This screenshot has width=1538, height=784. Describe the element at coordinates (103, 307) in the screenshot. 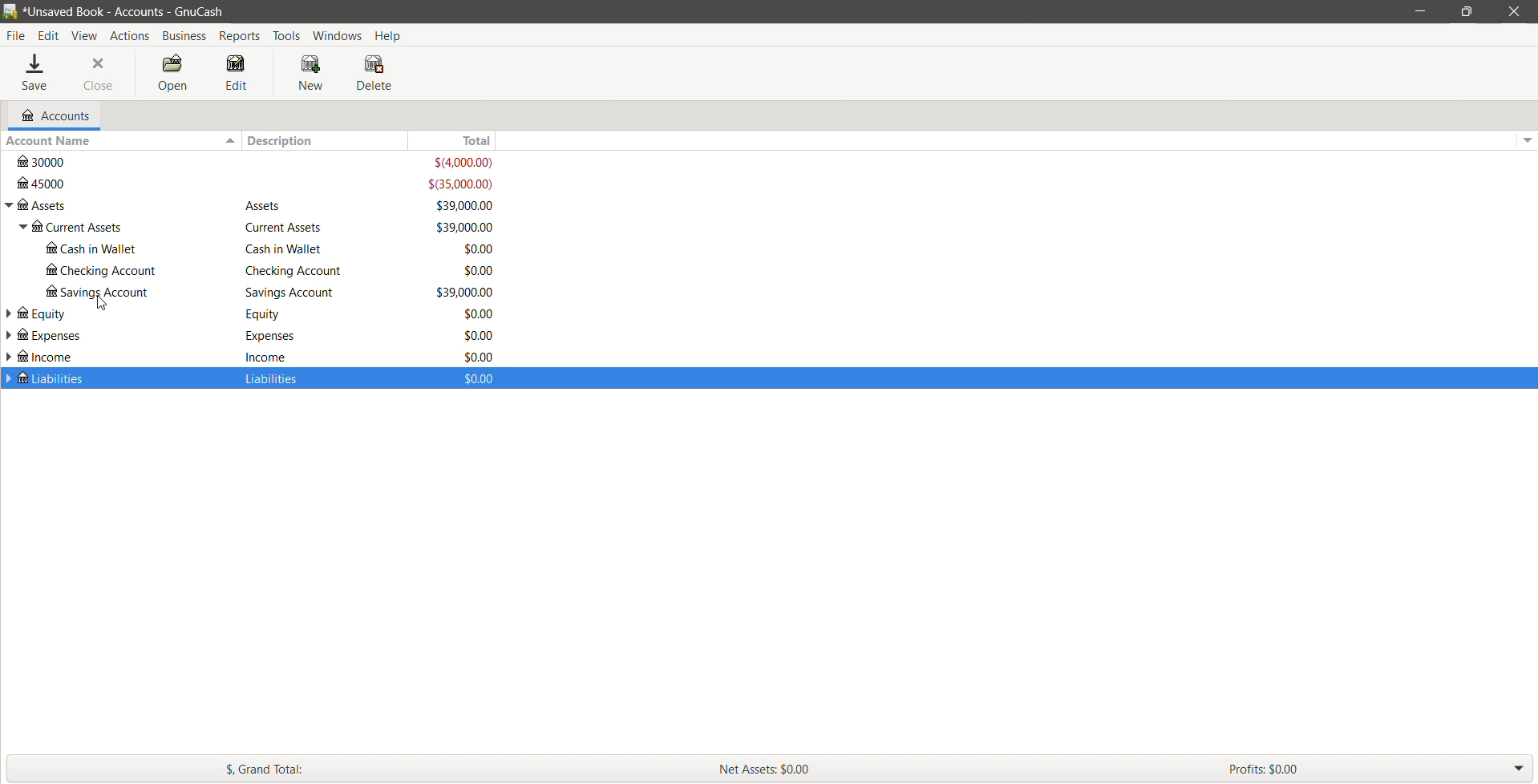

I see `cursor` at that location.